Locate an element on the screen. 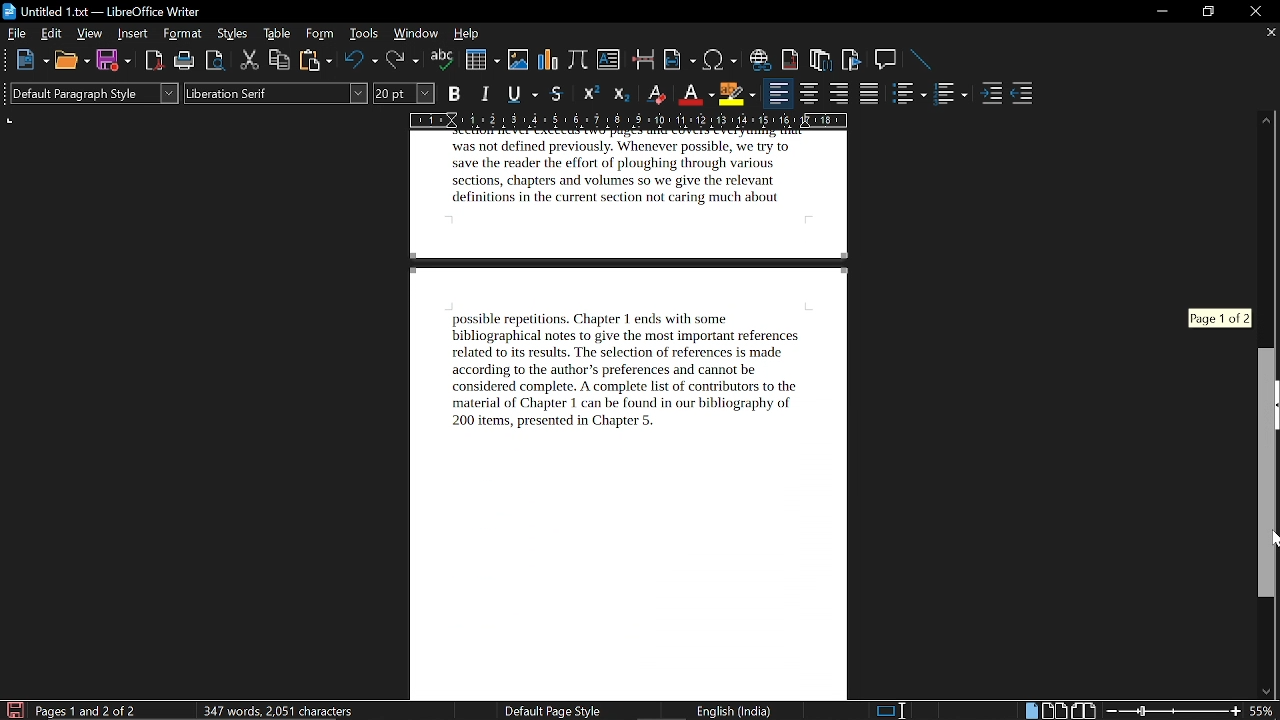  restore down is located at coordinates (1206, 12).